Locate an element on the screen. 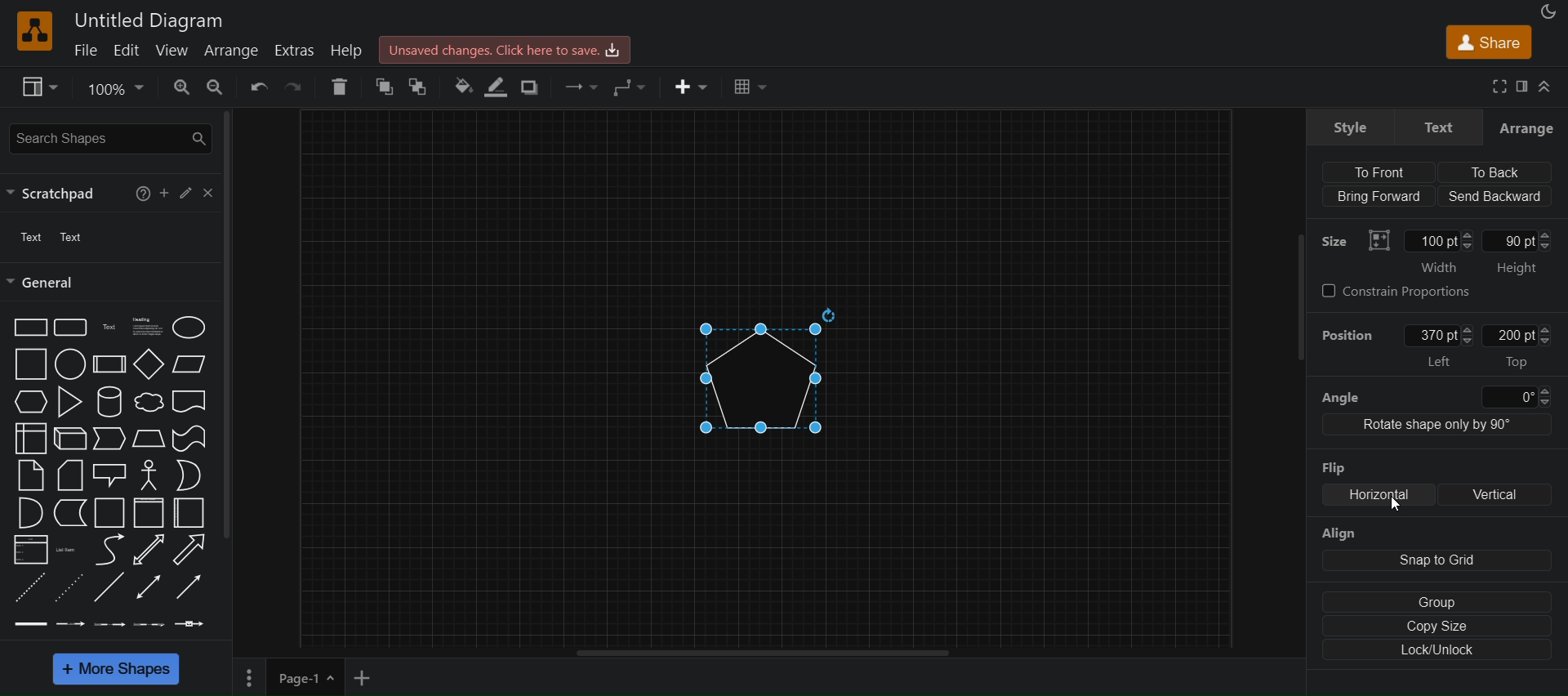 Image resolution: width=1568 pixels, height=696 pixels. Left position is located at coordinates (1440, 361).